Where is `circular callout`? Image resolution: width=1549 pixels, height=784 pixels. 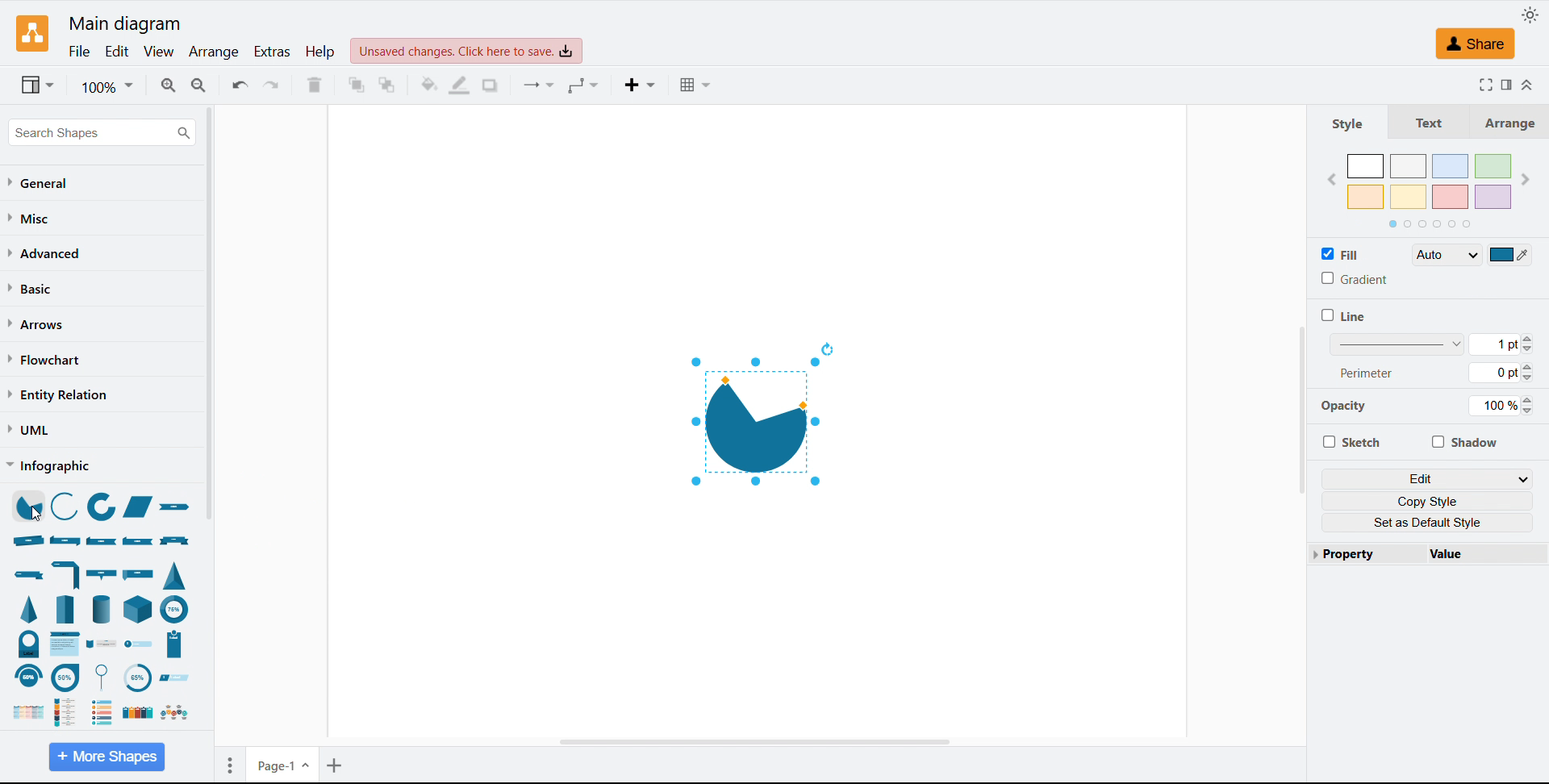
circular callout is located at coordinates (105, 677).